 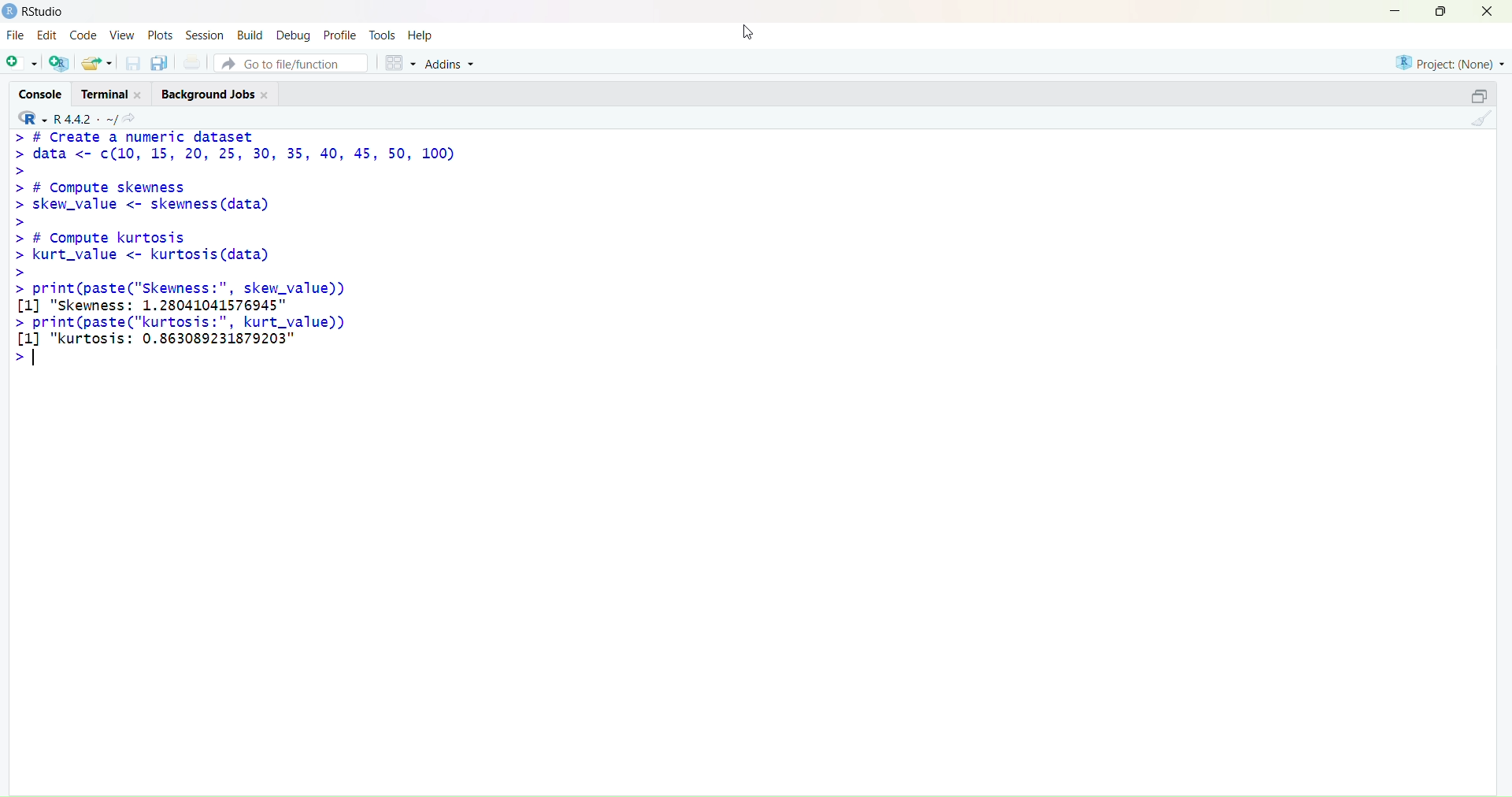 I want to click on Session, so click(x=206, y=35).